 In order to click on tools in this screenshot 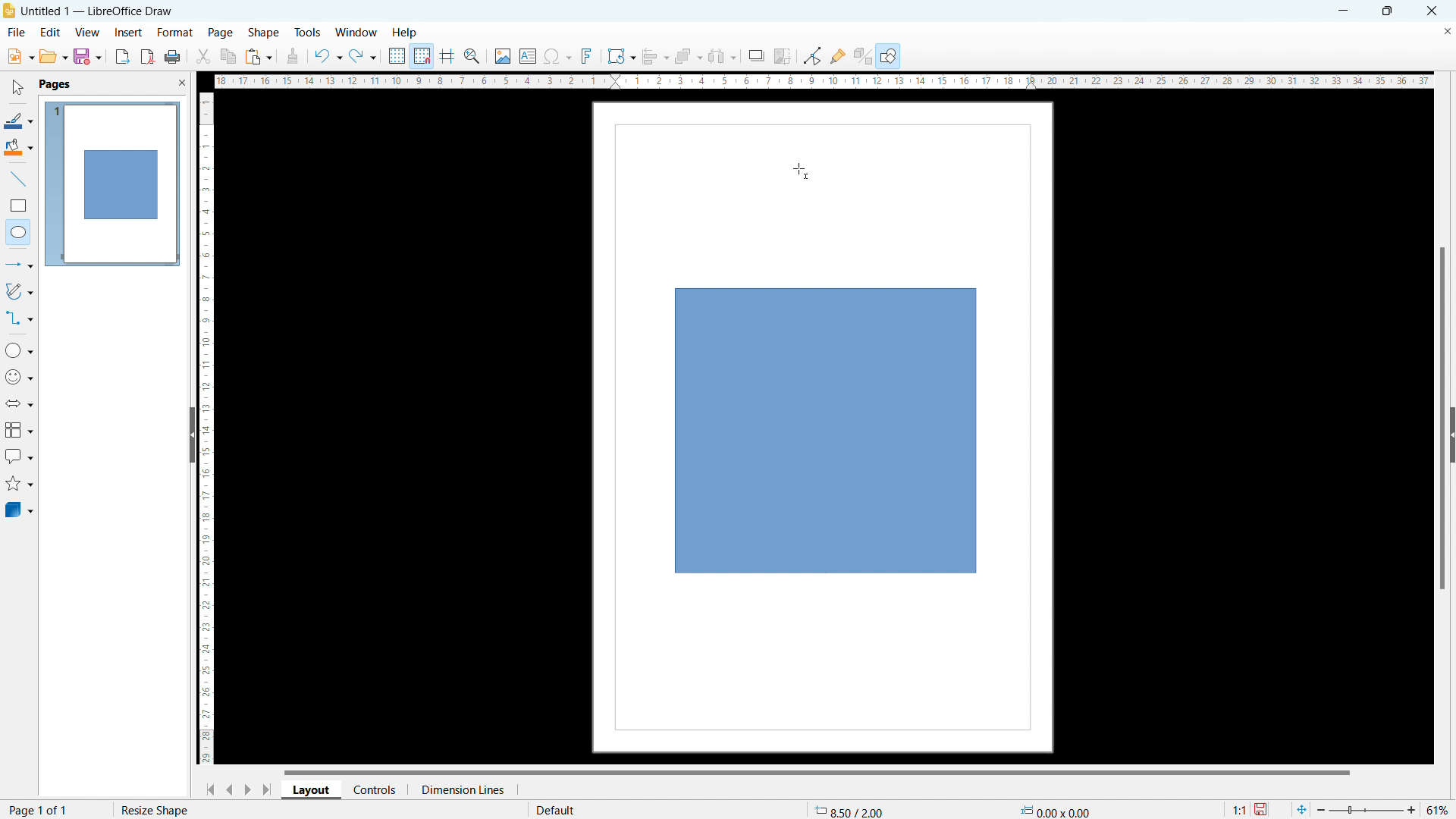, I will do `click(309, 32)`.